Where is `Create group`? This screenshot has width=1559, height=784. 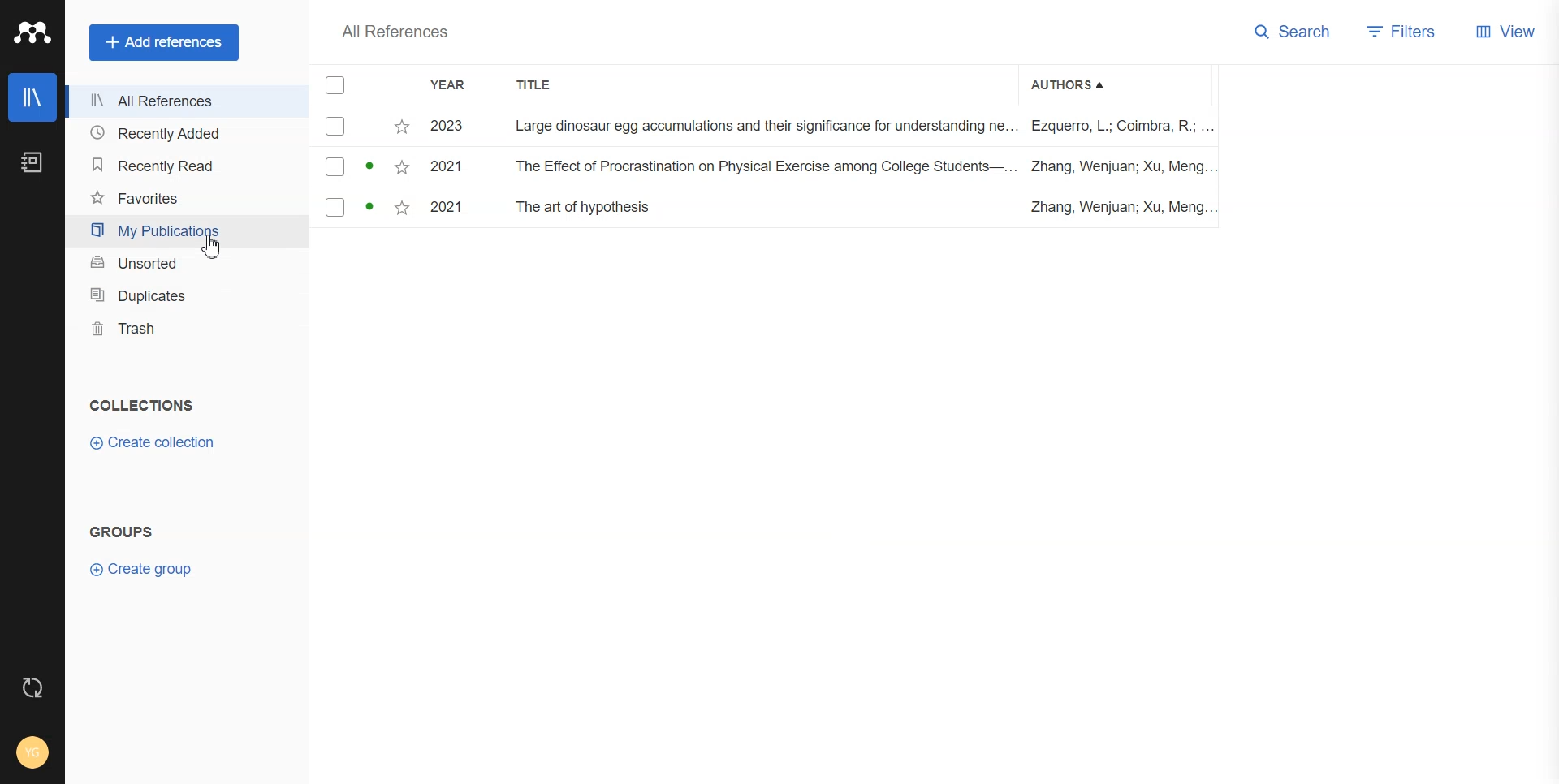 Create group is located at coordinates (146, 569).